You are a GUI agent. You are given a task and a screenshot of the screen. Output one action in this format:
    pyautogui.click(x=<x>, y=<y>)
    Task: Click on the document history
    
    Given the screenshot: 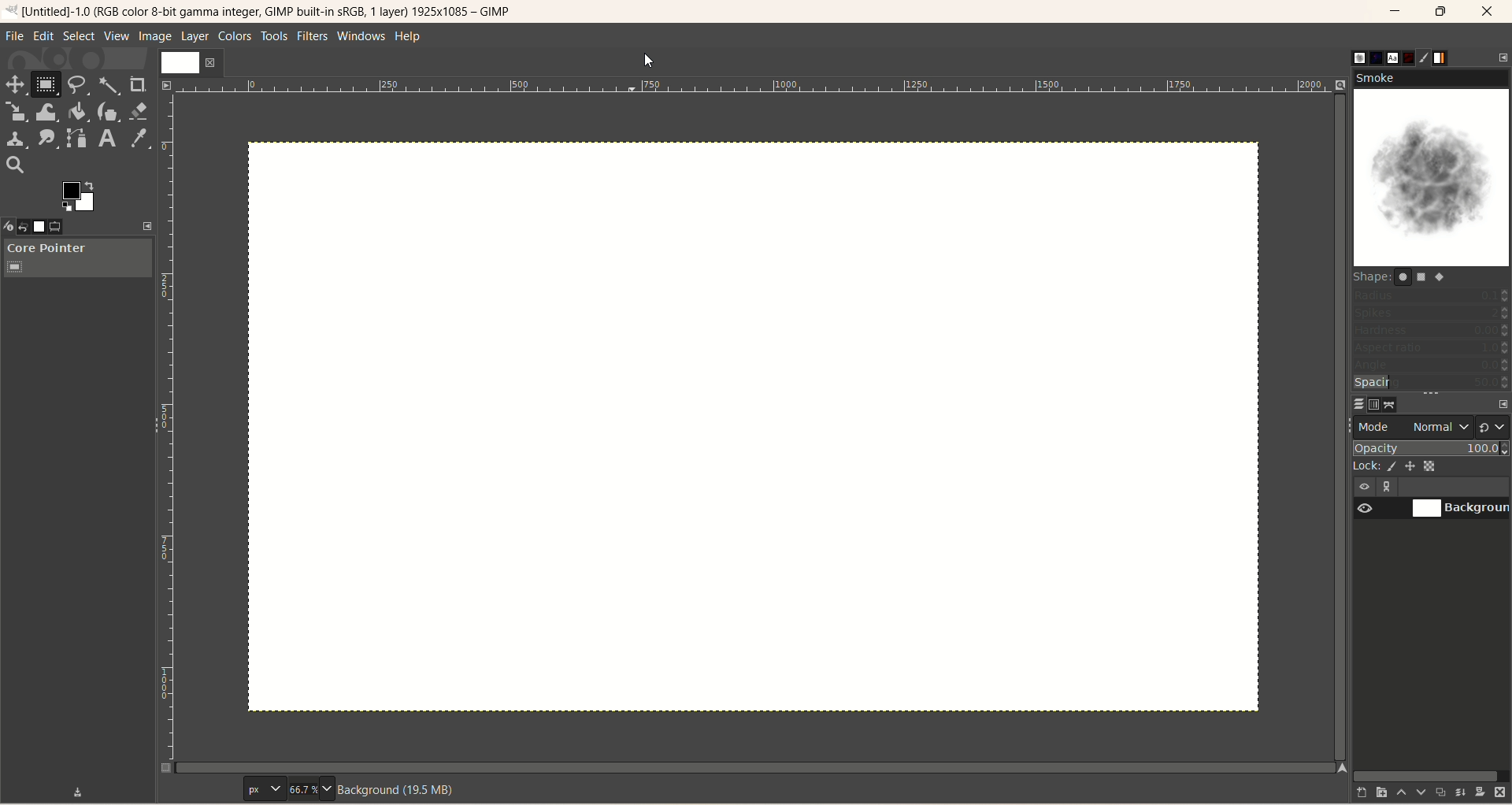 What is the action you would take?
    pyautogui.click(x=1410, y=54)
    